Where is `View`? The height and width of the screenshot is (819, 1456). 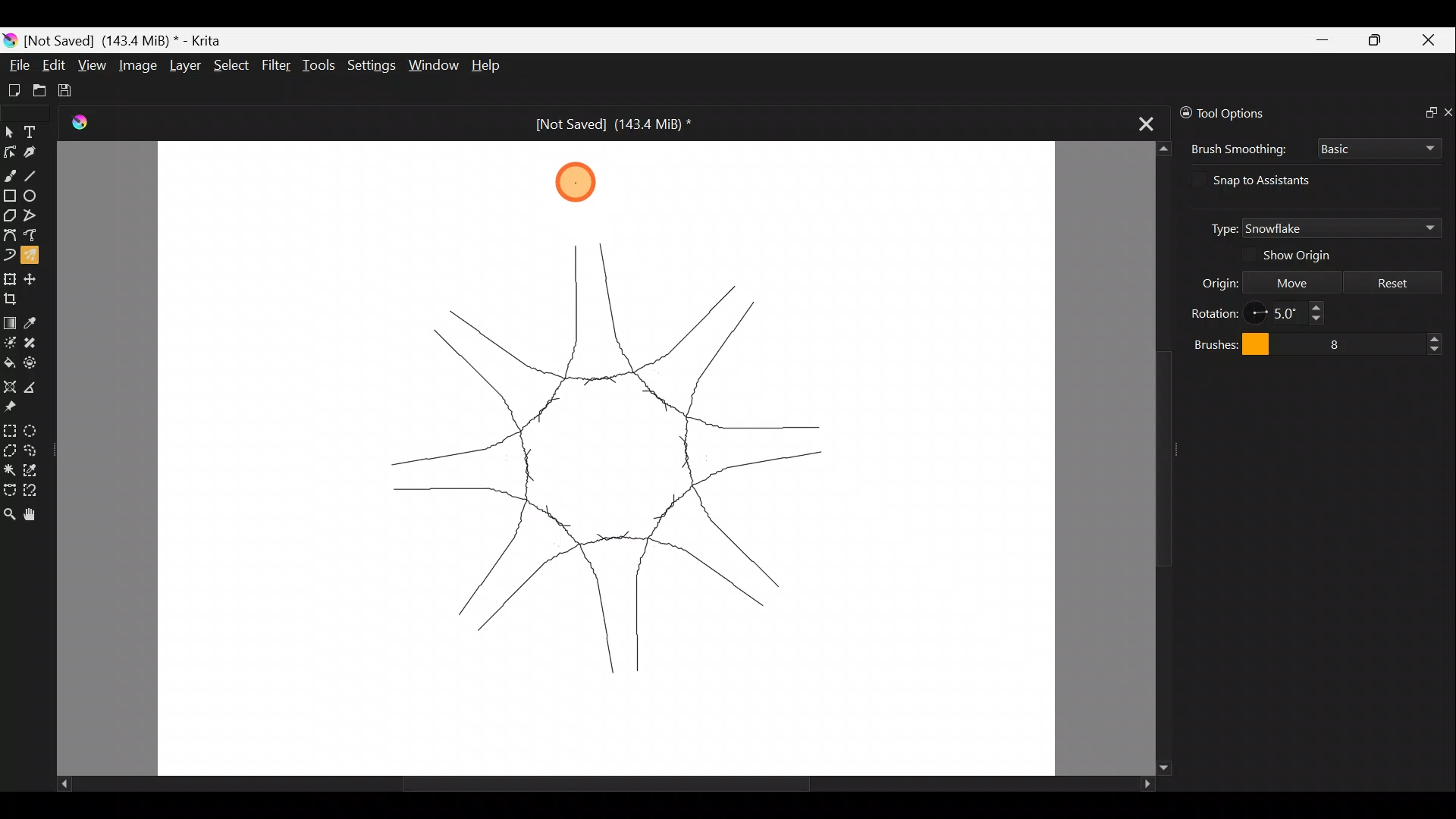
View is located at coordinates (92, 65).